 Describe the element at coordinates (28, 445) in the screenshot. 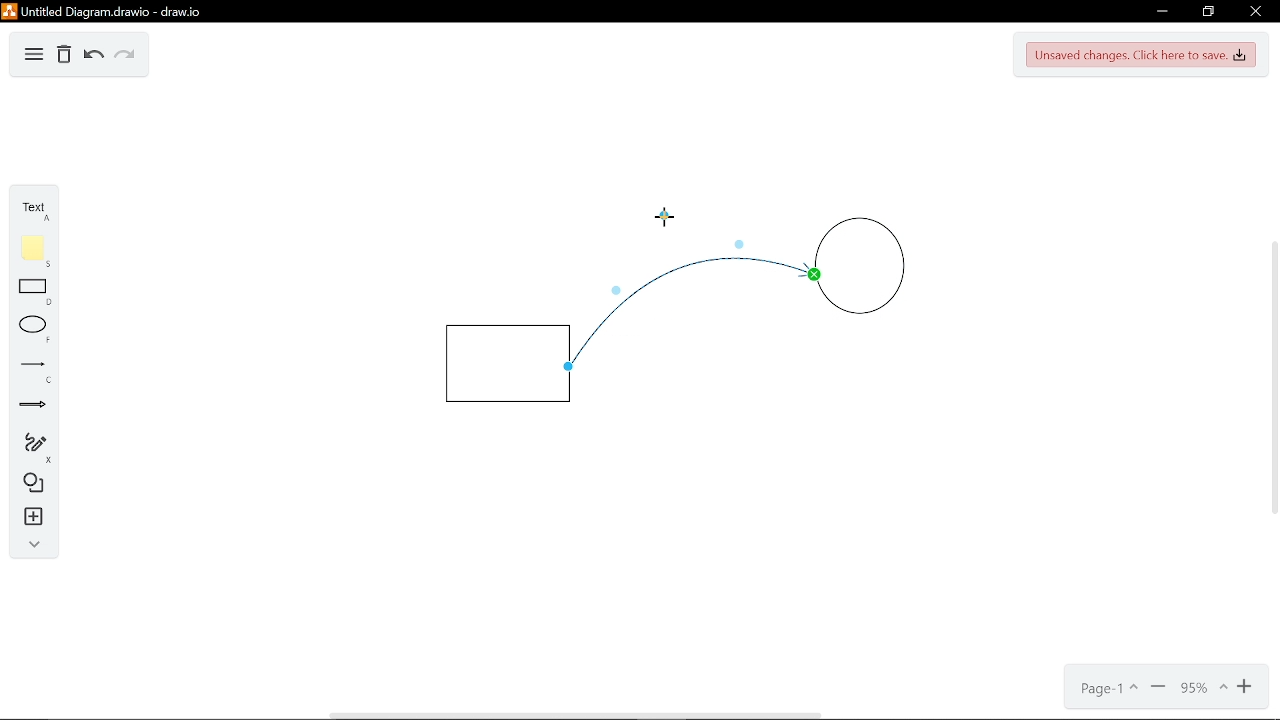

I see `Freehand` at that location.